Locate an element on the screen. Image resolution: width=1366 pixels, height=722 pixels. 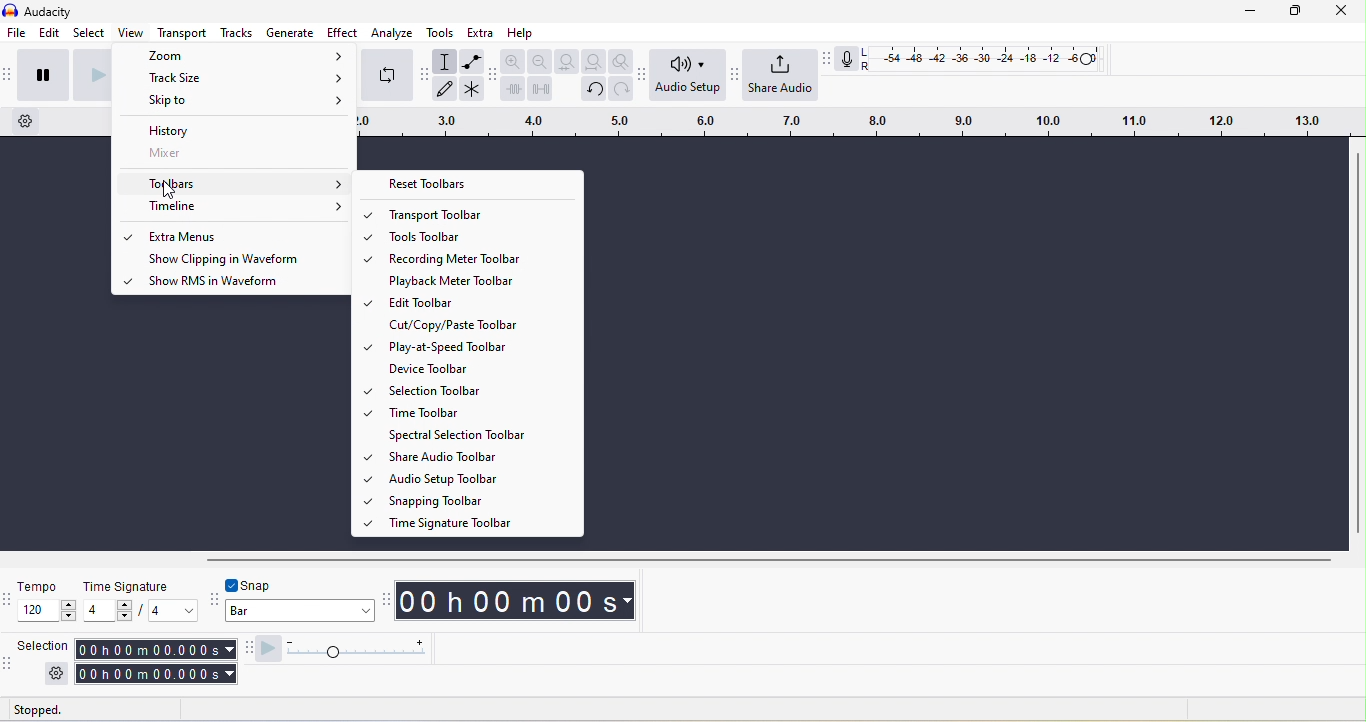
tracks is located at coordinates (236, 32).